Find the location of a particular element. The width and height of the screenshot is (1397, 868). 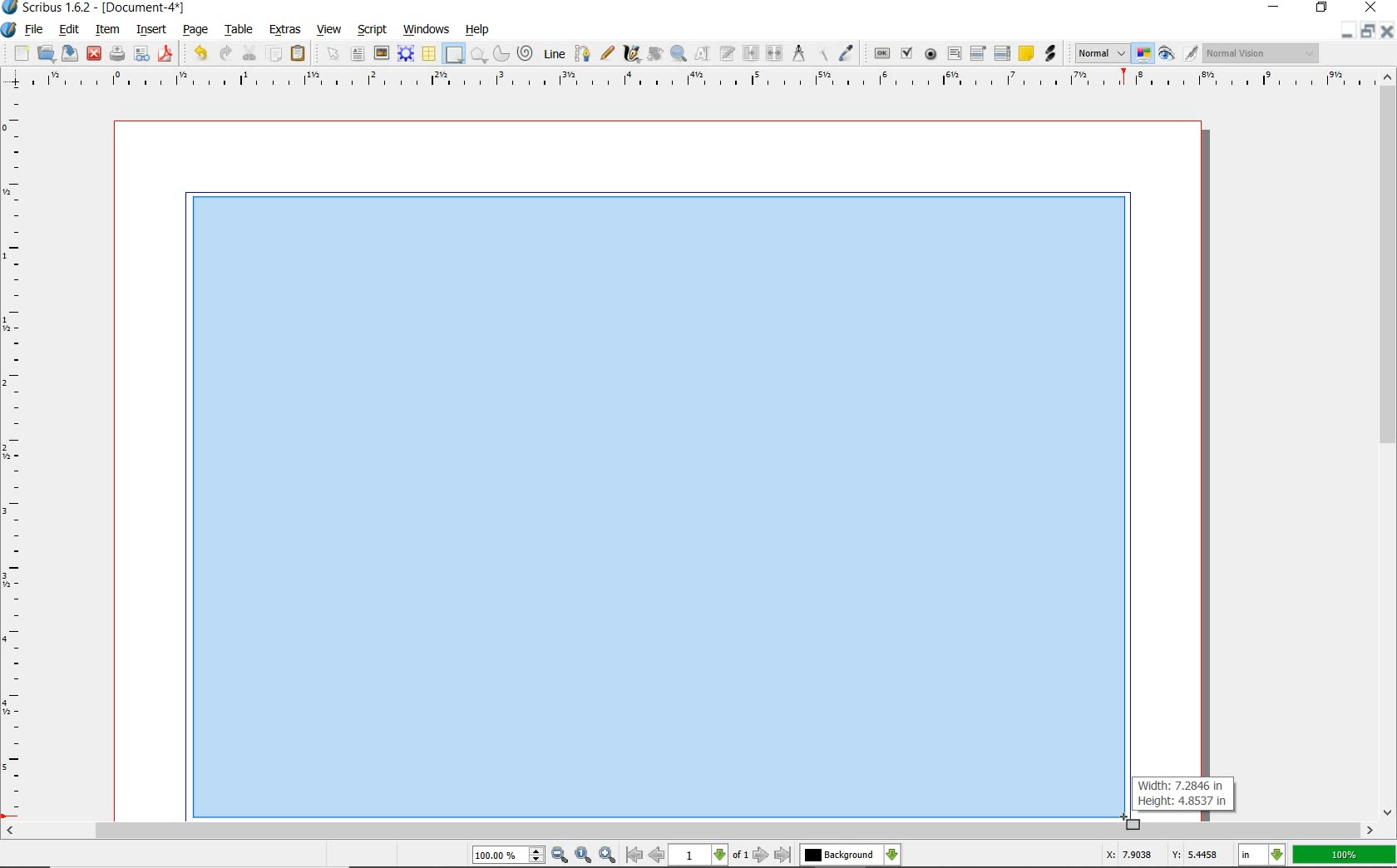

restore is located at coordinates (1321, 9).